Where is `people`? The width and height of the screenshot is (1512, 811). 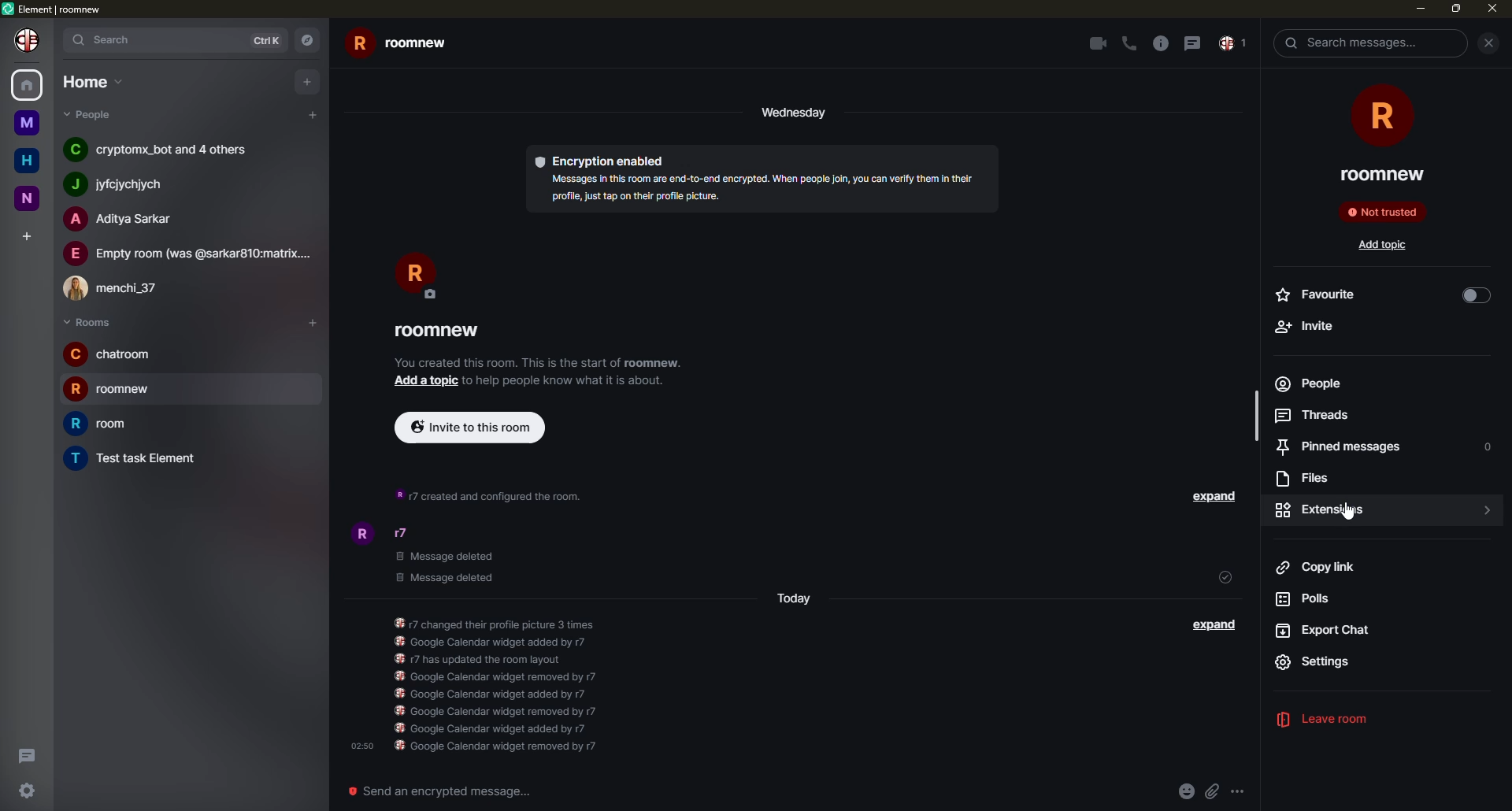
people is located at coordinates (406, 534).